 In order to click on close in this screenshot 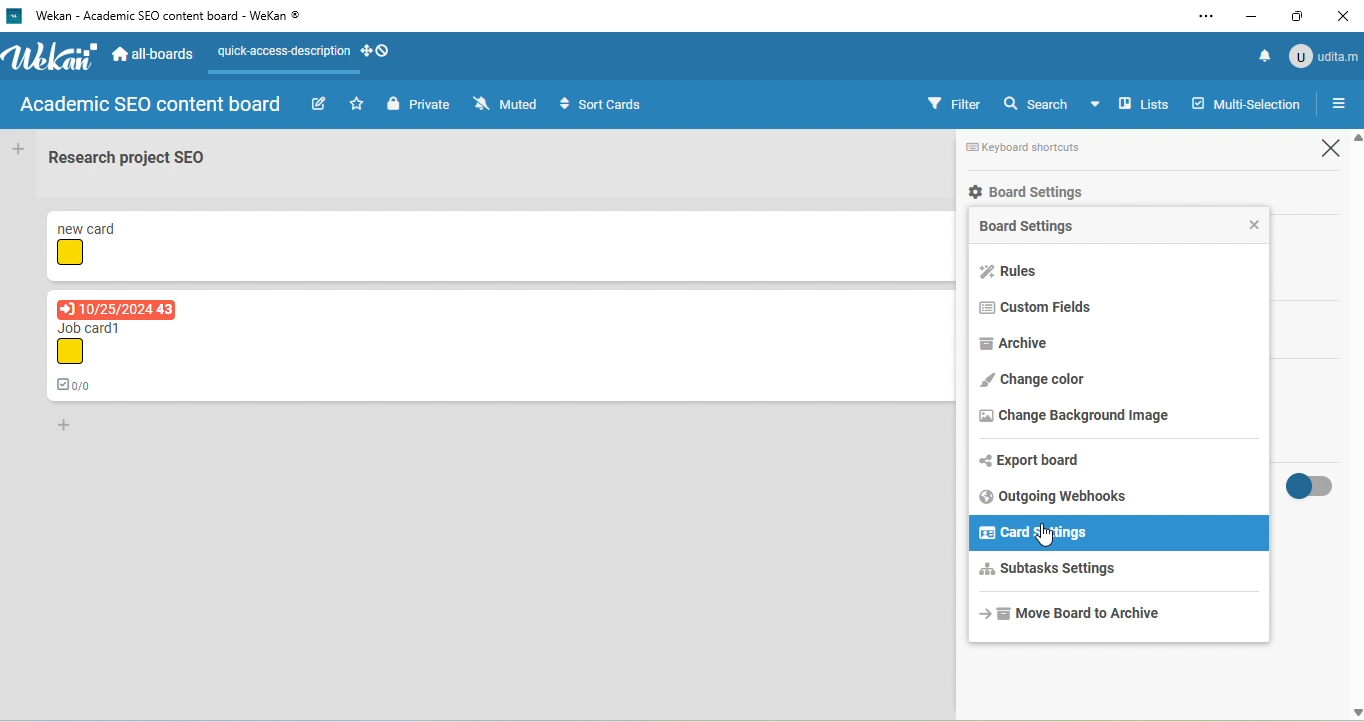, I will do `click(1346, 15)`.